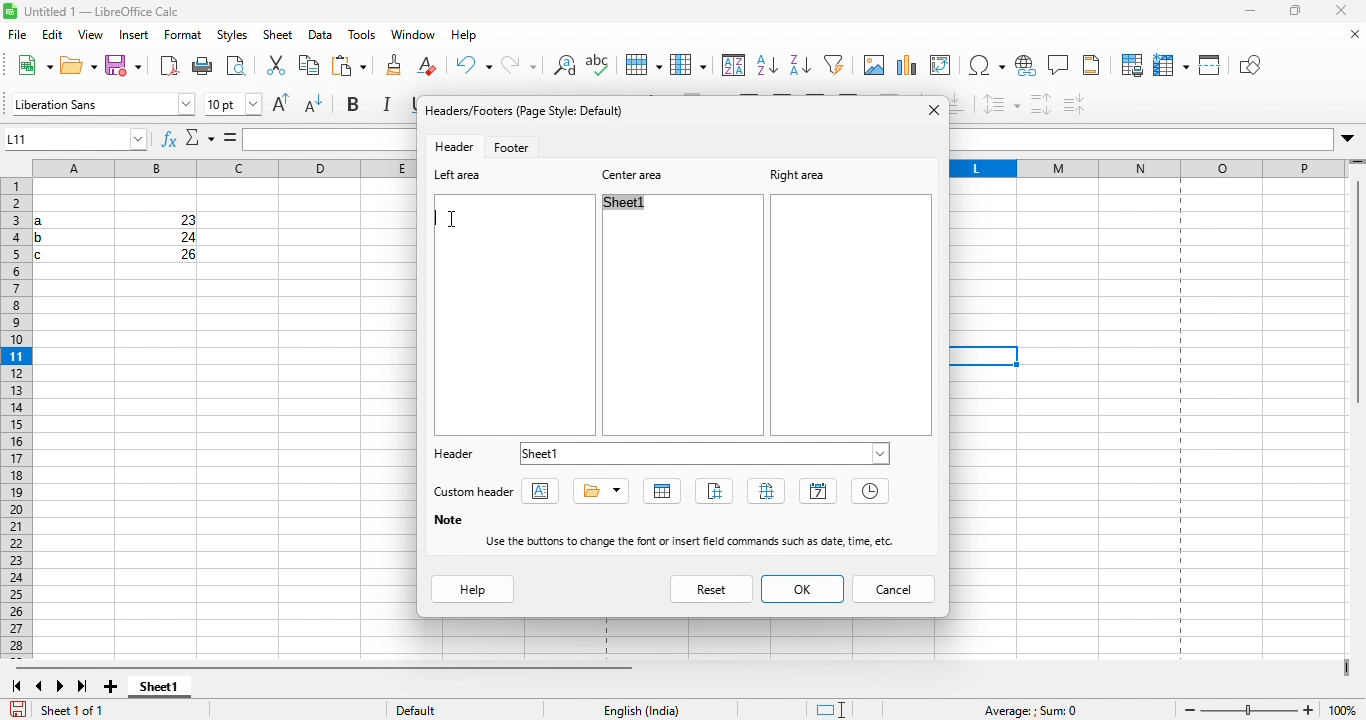  I want to click on help, so click(469, 589).